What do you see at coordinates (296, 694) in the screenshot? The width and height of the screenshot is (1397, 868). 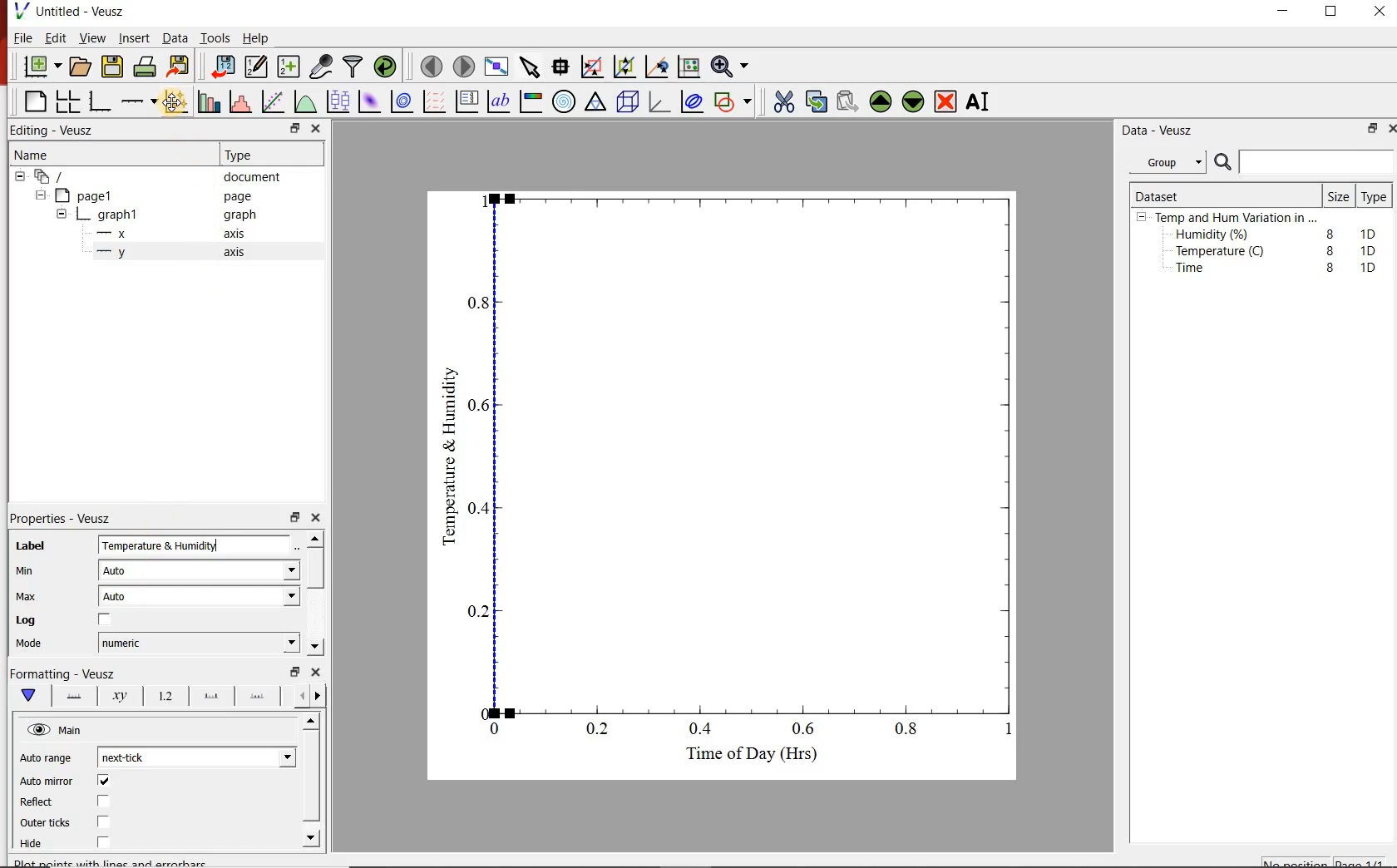 I see `go back` at bounding box center [296, 694].